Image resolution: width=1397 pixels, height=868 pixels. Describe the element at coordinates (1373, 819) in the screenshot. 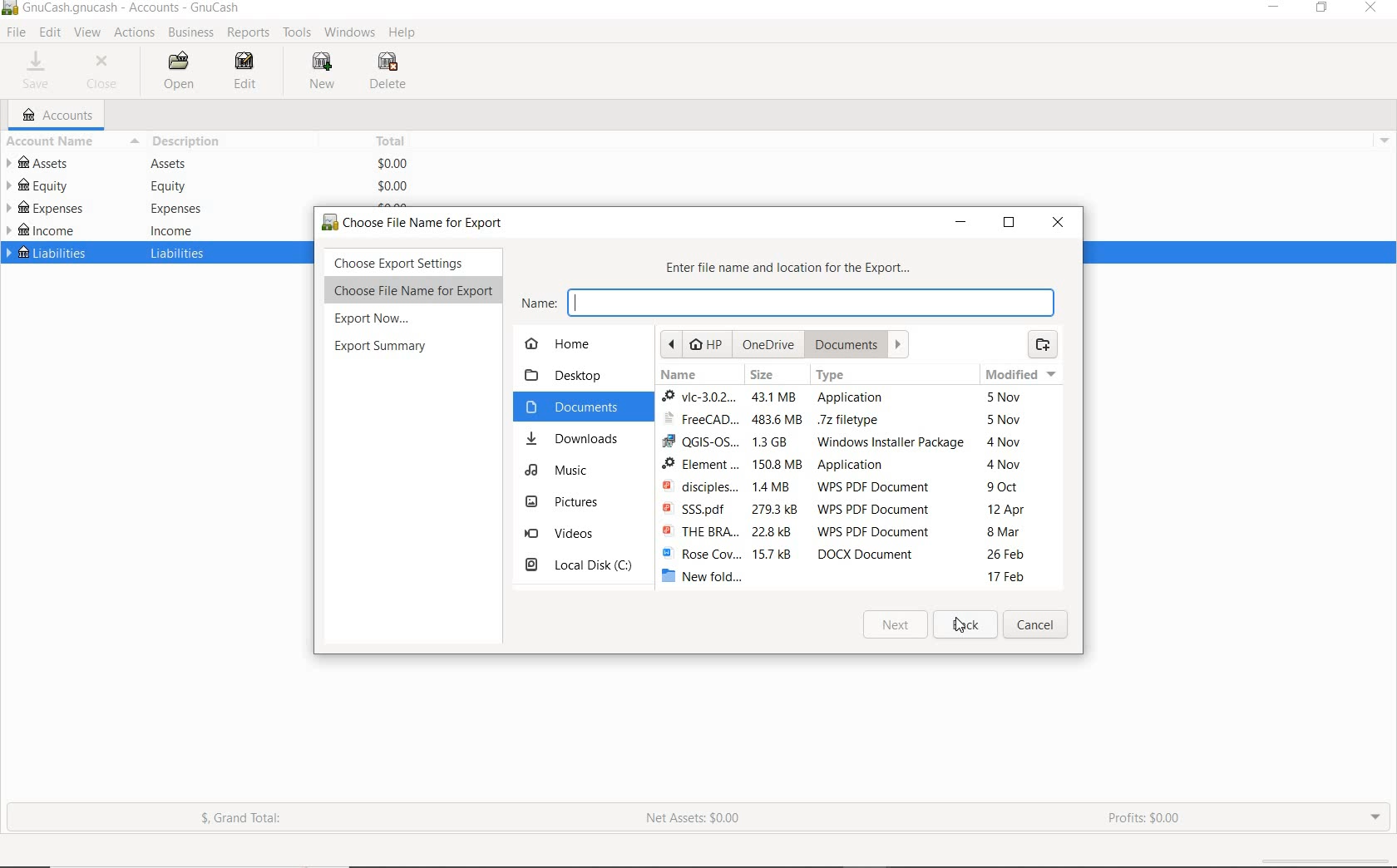

I see `EXPAND` at that location.